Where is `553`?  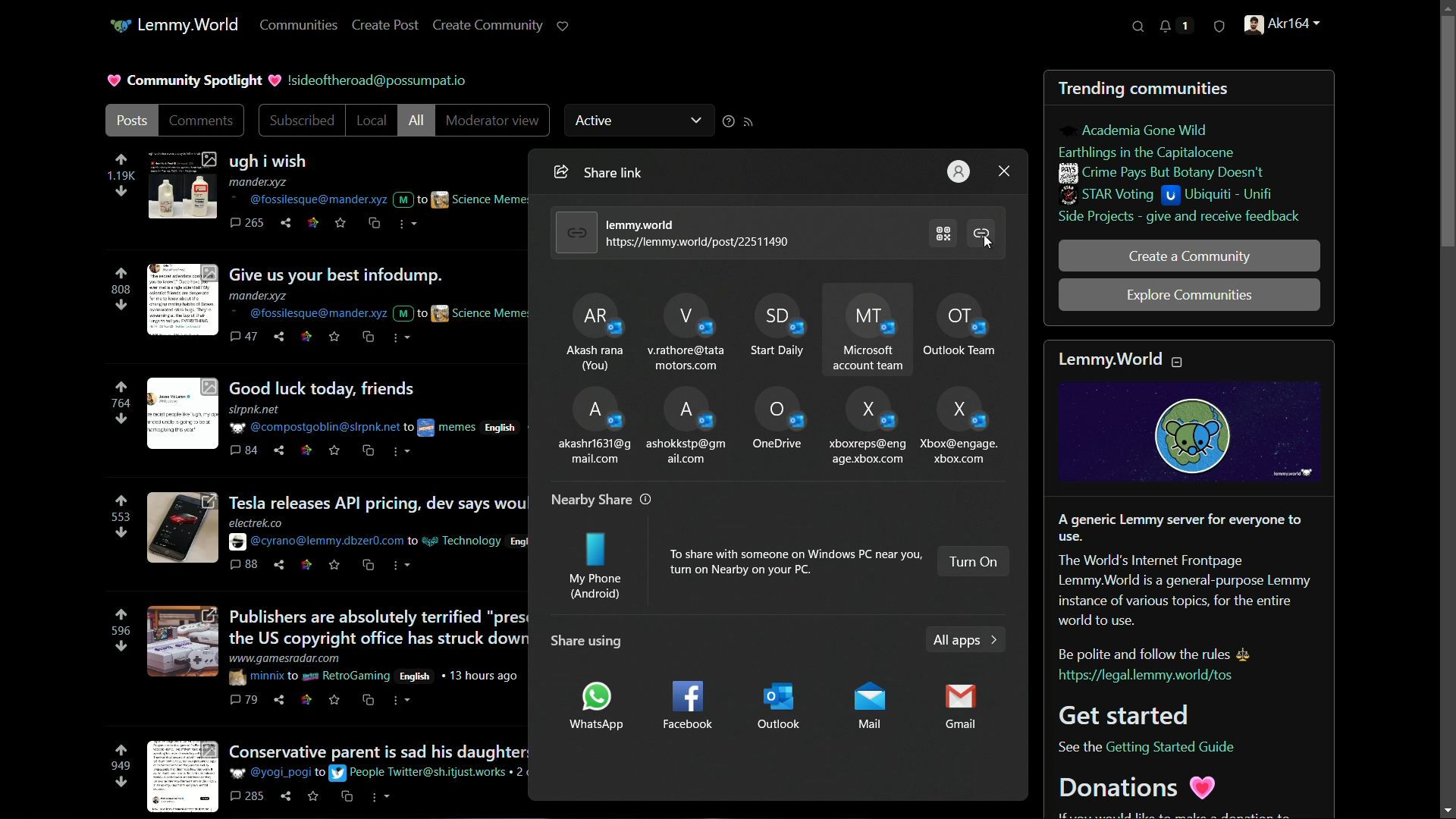
553 is located at coordinates (118, 517).